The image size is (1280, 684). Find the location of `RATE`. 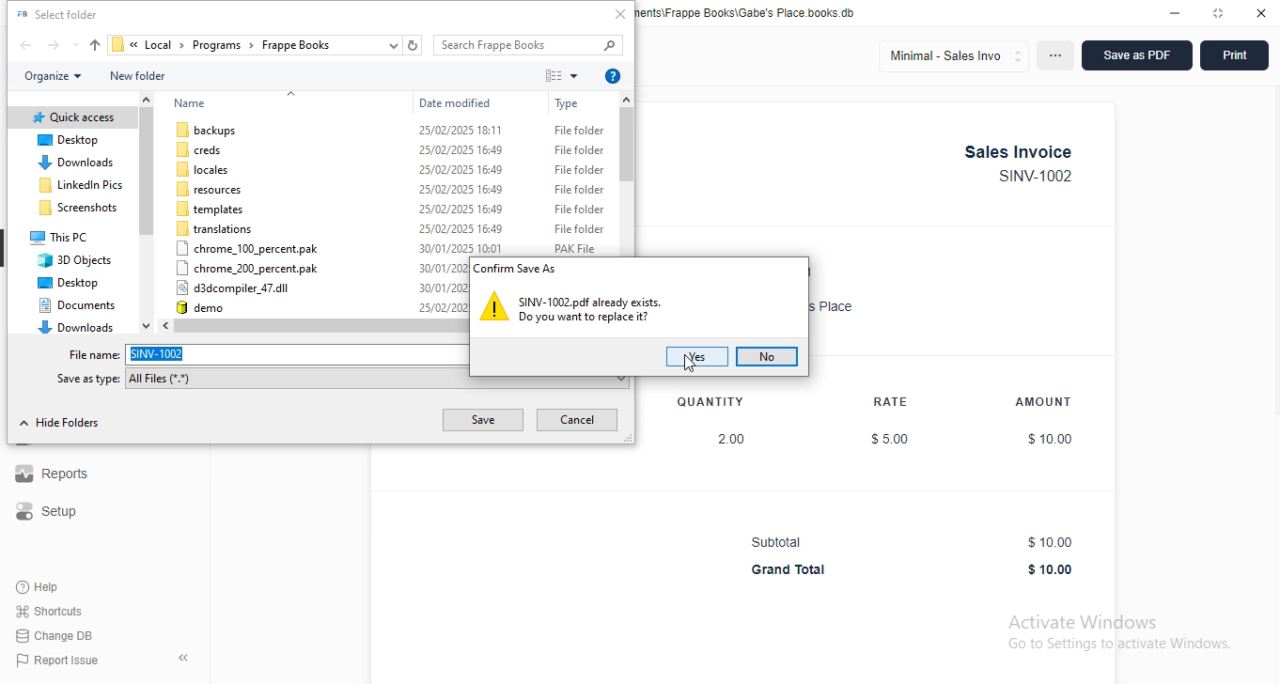

RATE is located at coordinates (892, 401).